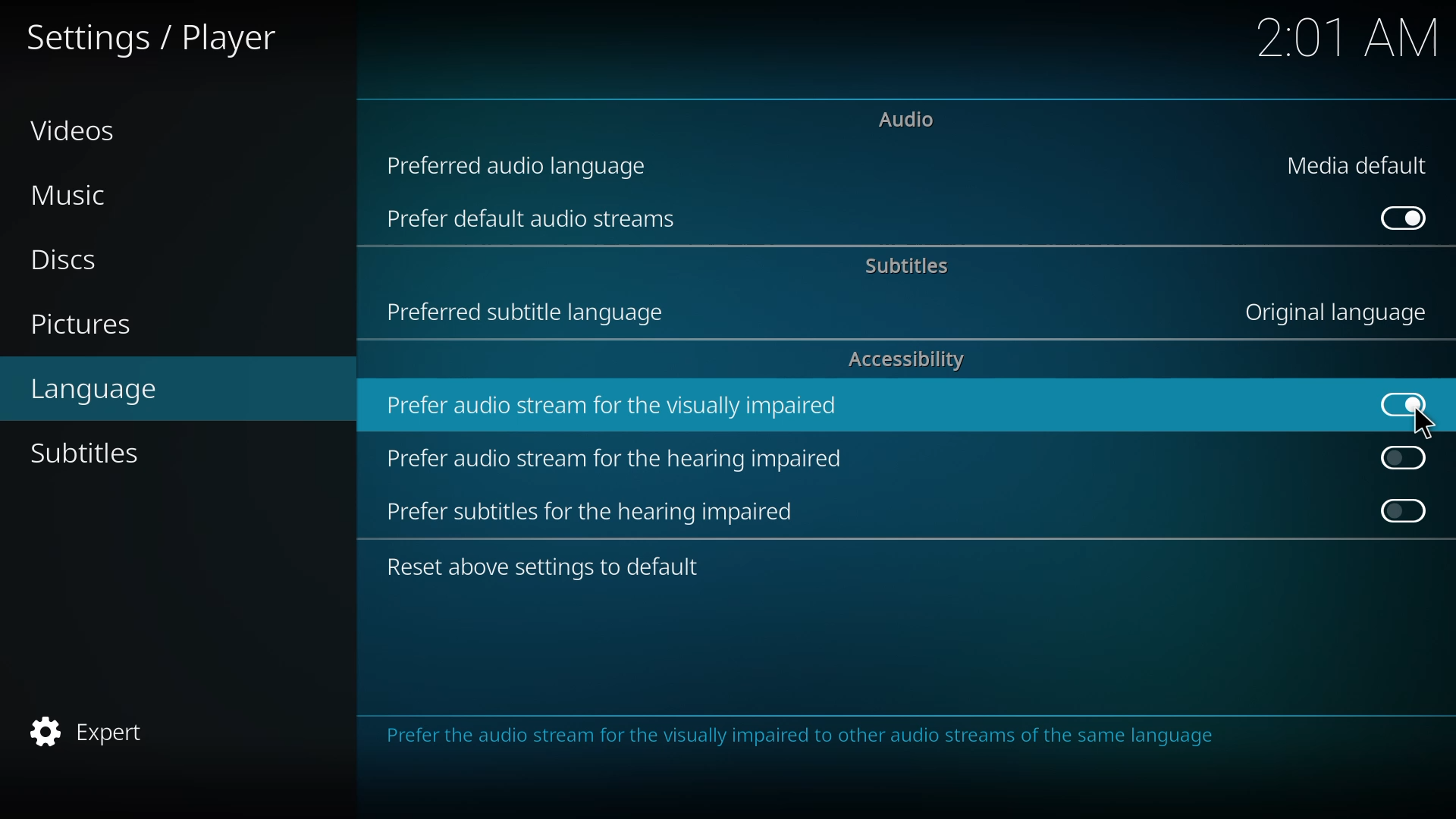  What do you see at coordinates (806, 737) in the screenshot?
I see `info` at bounding box center [806, 737].